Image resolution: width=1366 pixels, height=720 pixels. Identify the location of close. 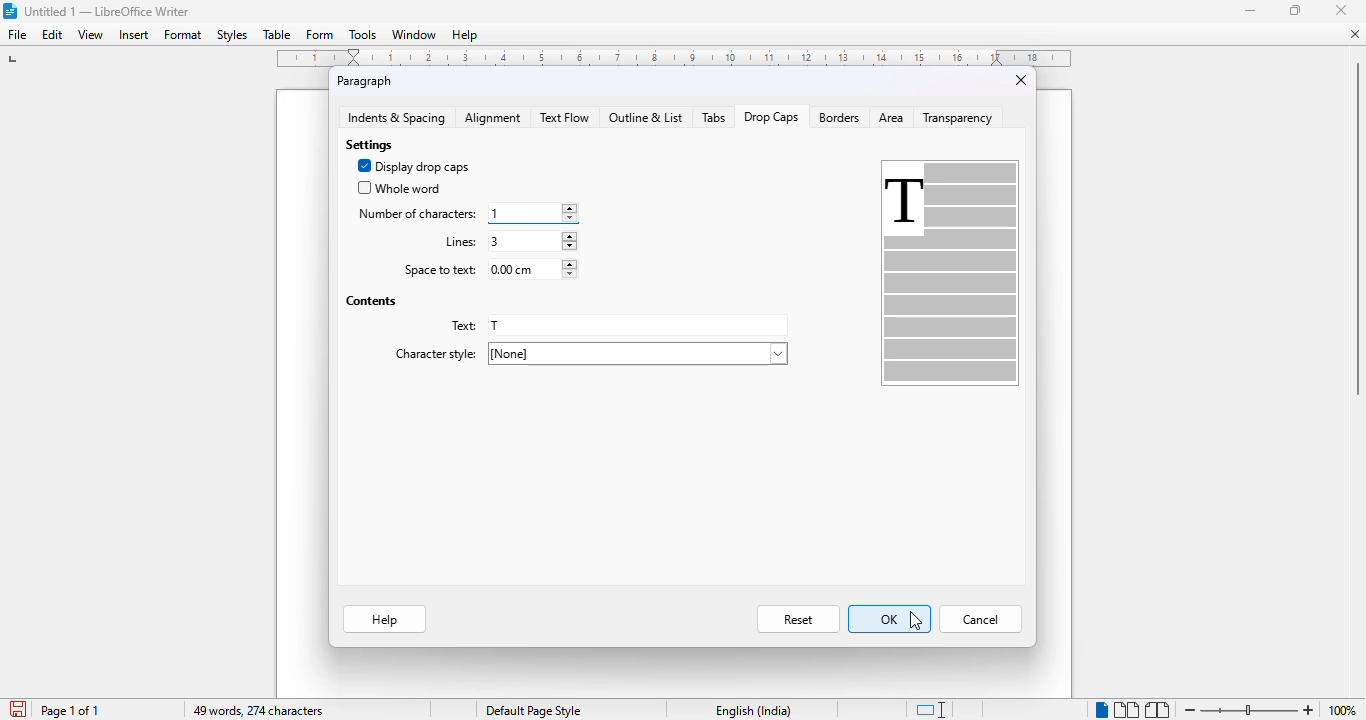
(1019, 82).